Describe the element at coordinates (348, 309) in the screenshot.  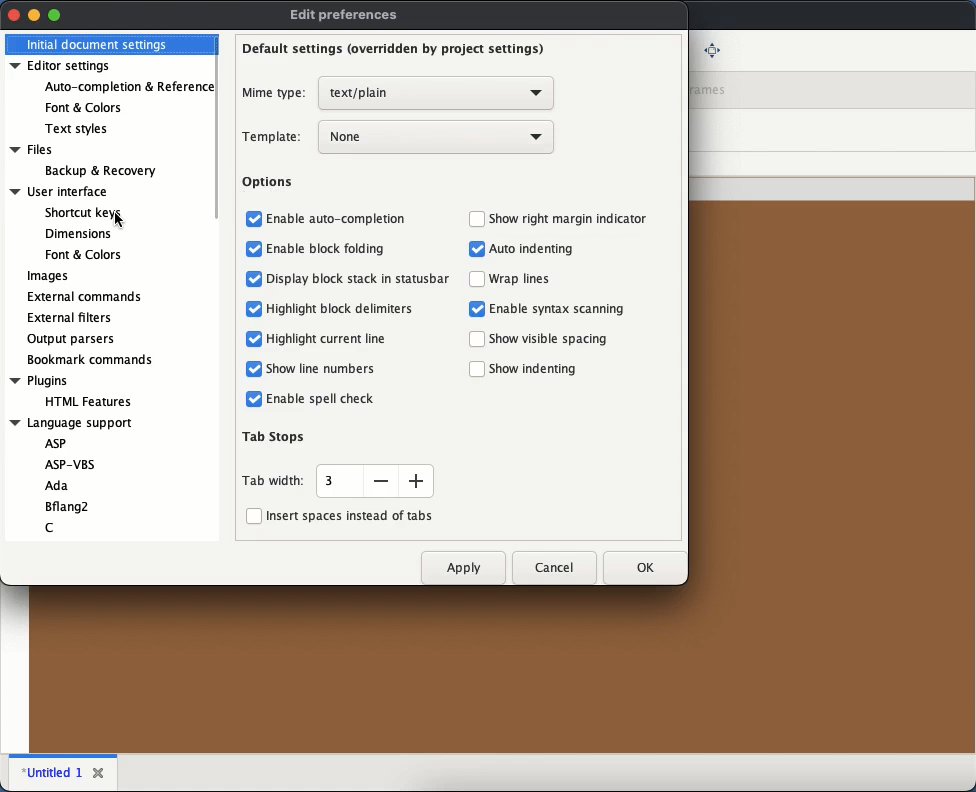
I see `Highlight block delimiters` at that location.